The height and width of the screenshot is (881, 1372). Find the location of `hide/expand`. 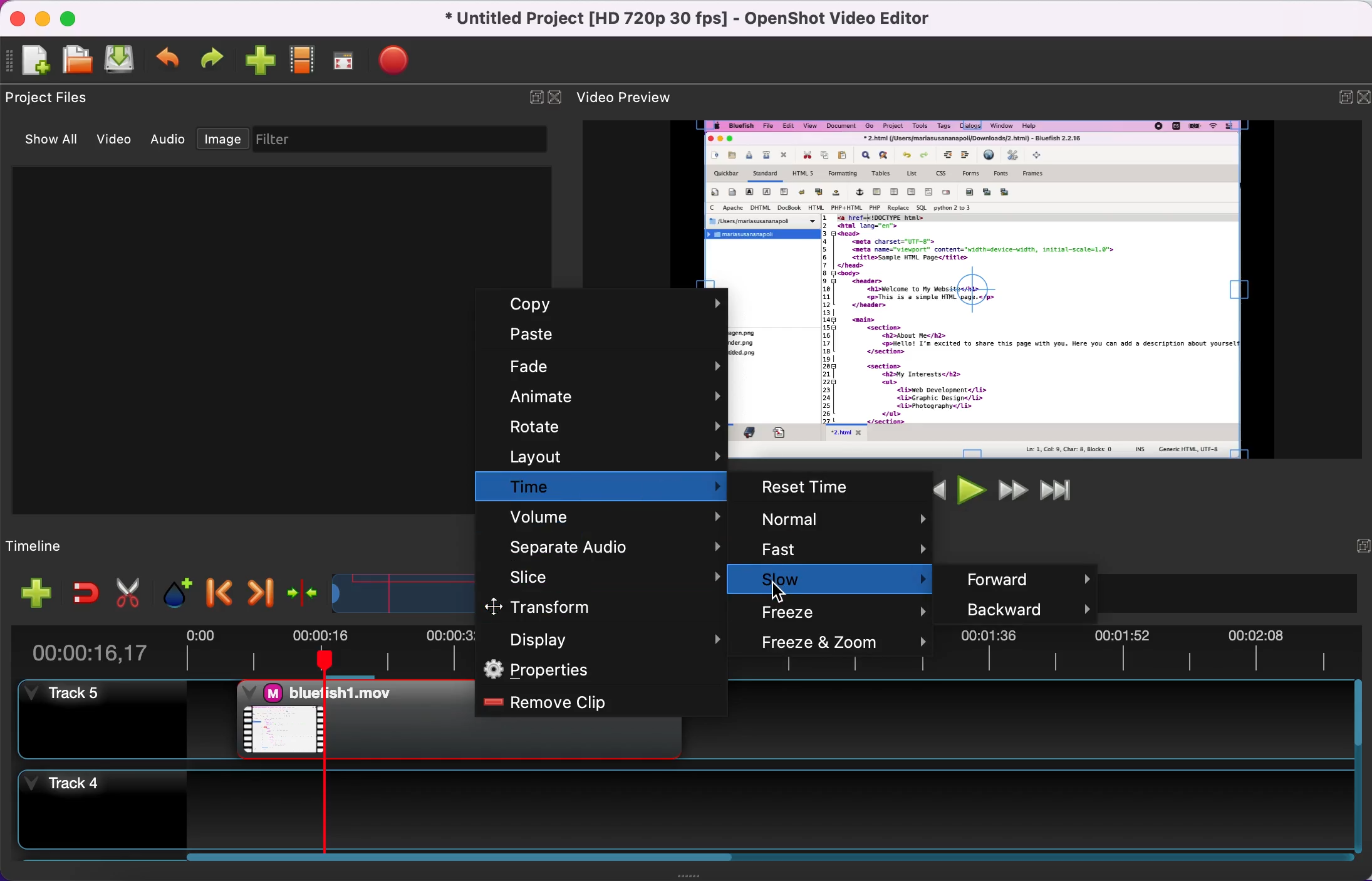

hide/expand is located at coordinates (1354, 547).